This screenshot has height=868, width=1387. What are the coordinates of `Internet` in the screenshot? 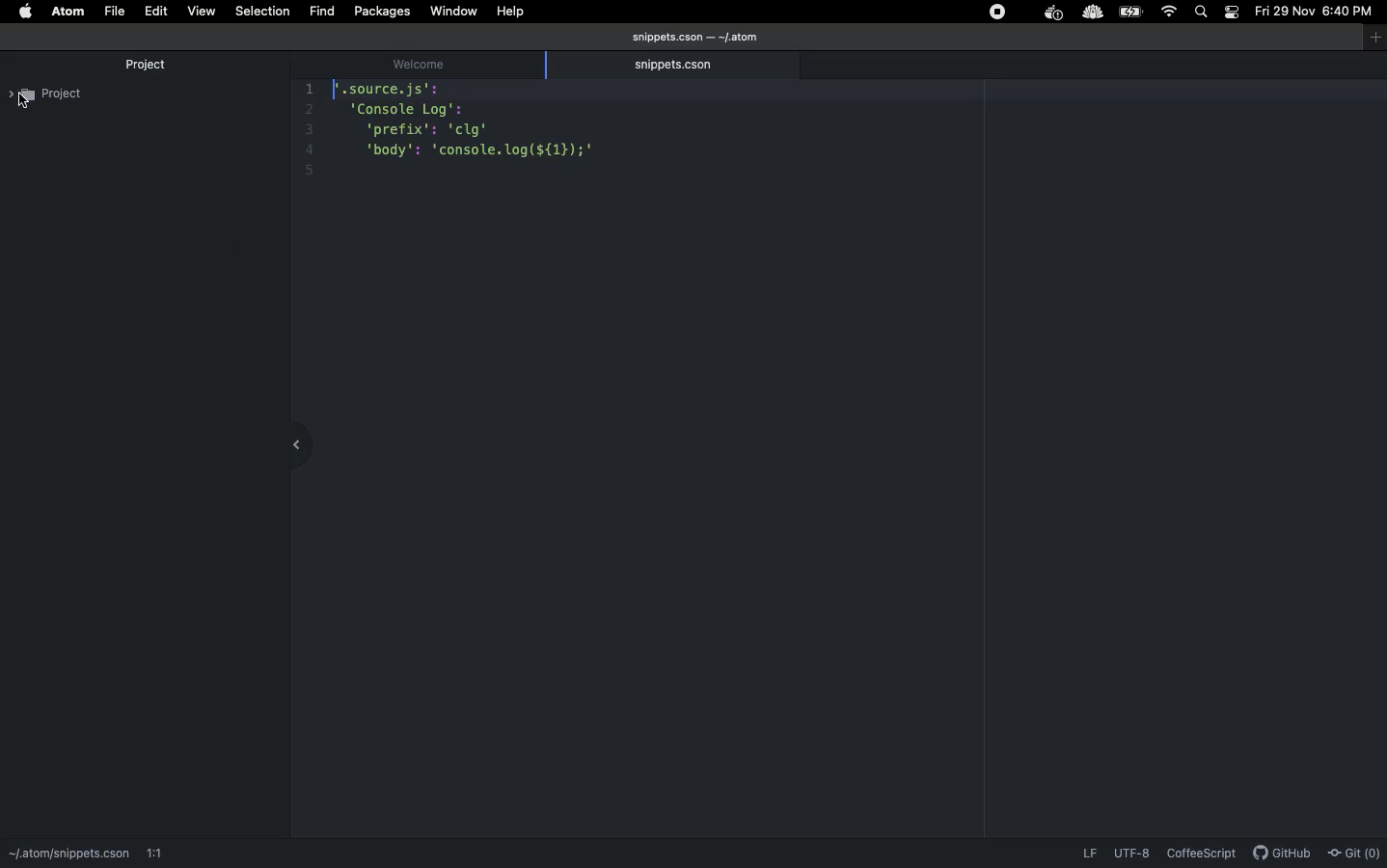 It's located at (1169, 12).